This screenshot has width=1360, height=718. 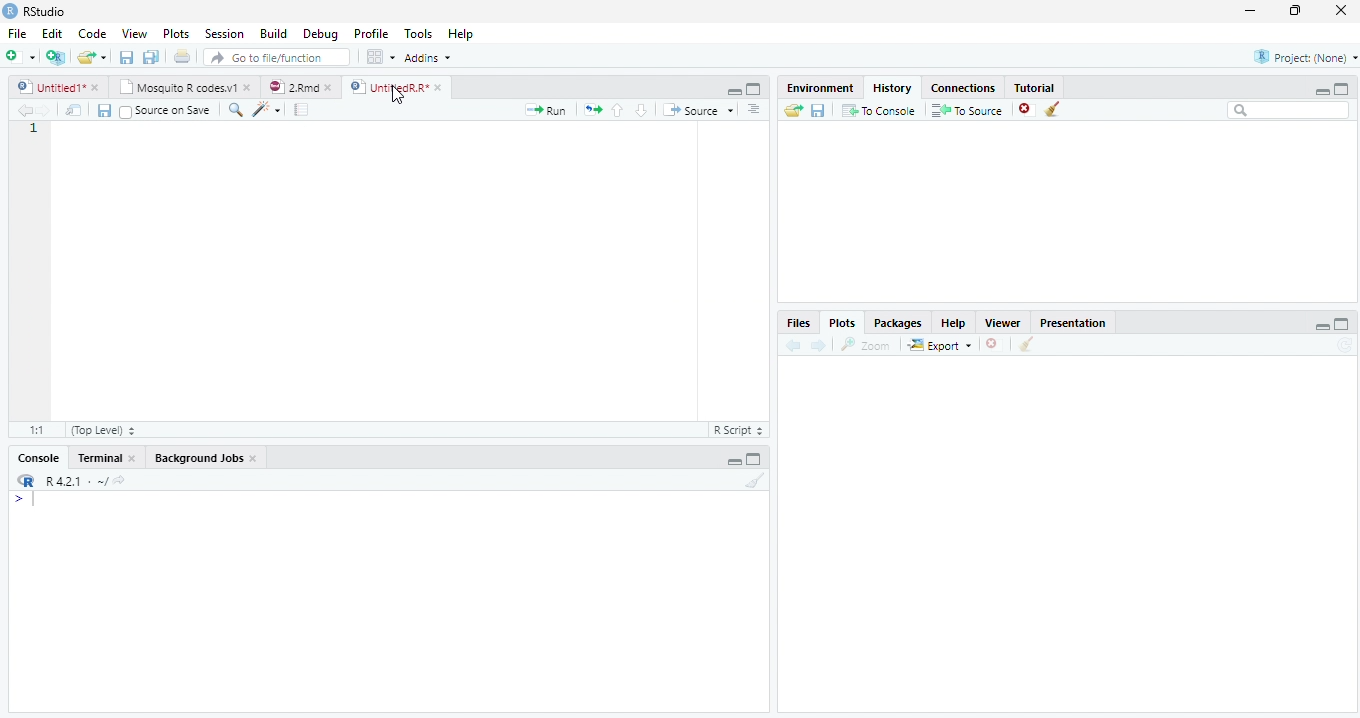 What do you see at coordinates (1299, 59) in the screenshot?
I see `Project: (None)` at bounding box center [1299, 59].